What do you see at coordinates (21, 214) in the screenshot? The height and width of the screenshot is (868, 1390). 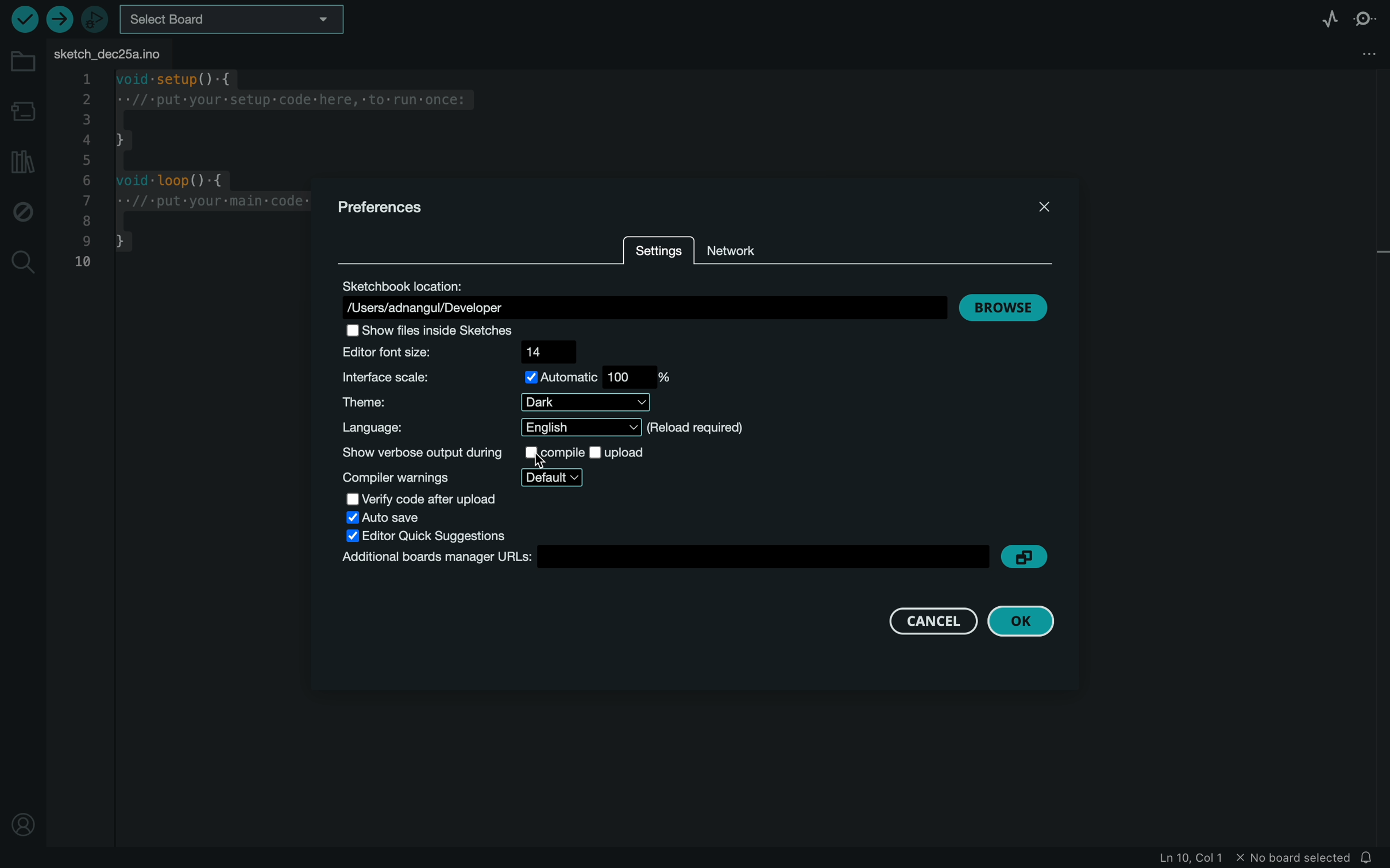 I see `debug` at bounding box center [21, 214].